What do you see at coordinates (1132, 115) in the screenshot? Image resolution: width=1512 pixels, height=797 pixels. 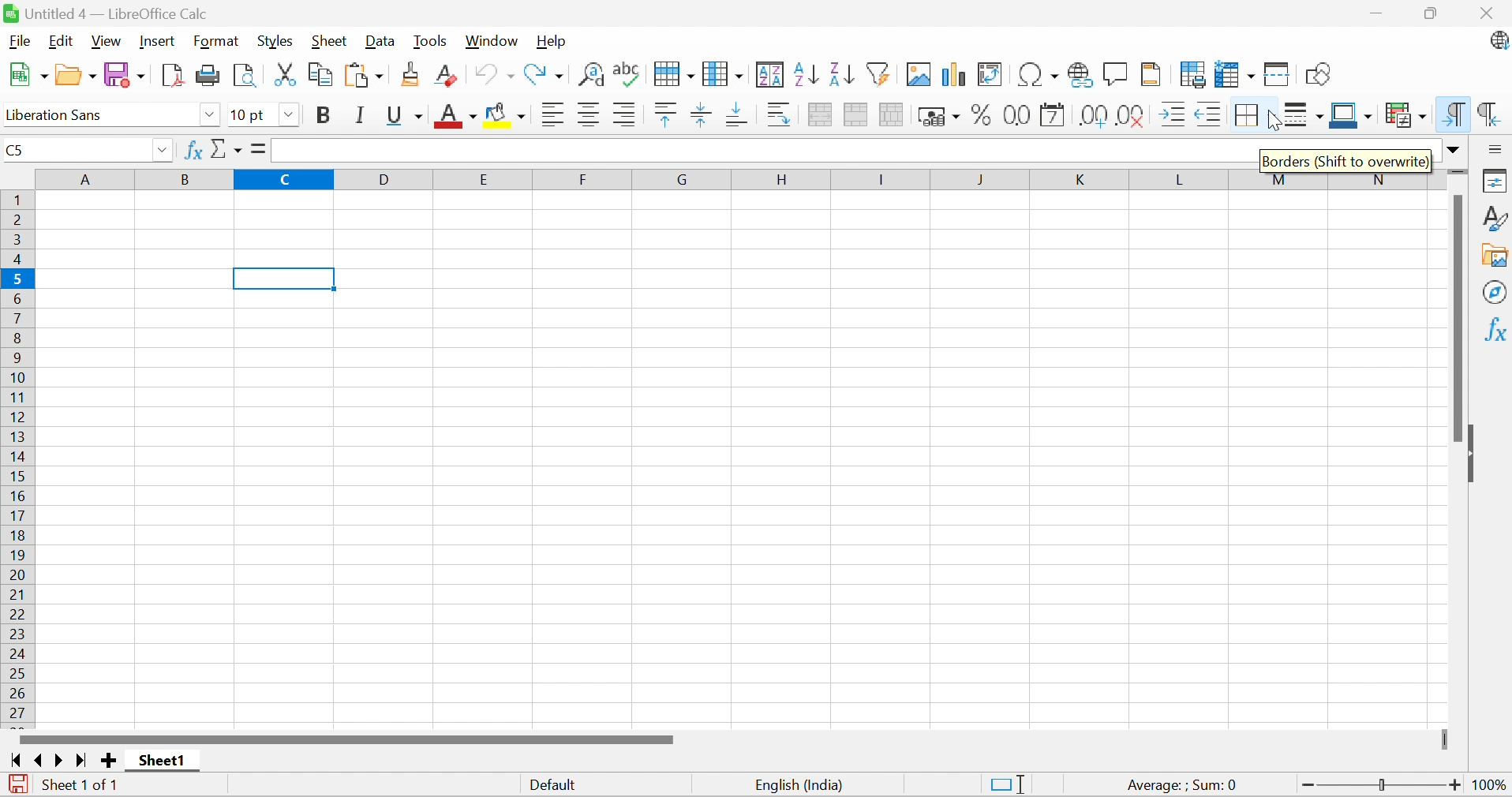 I see `Delete decimal place` at bounding box center [1132, 115].